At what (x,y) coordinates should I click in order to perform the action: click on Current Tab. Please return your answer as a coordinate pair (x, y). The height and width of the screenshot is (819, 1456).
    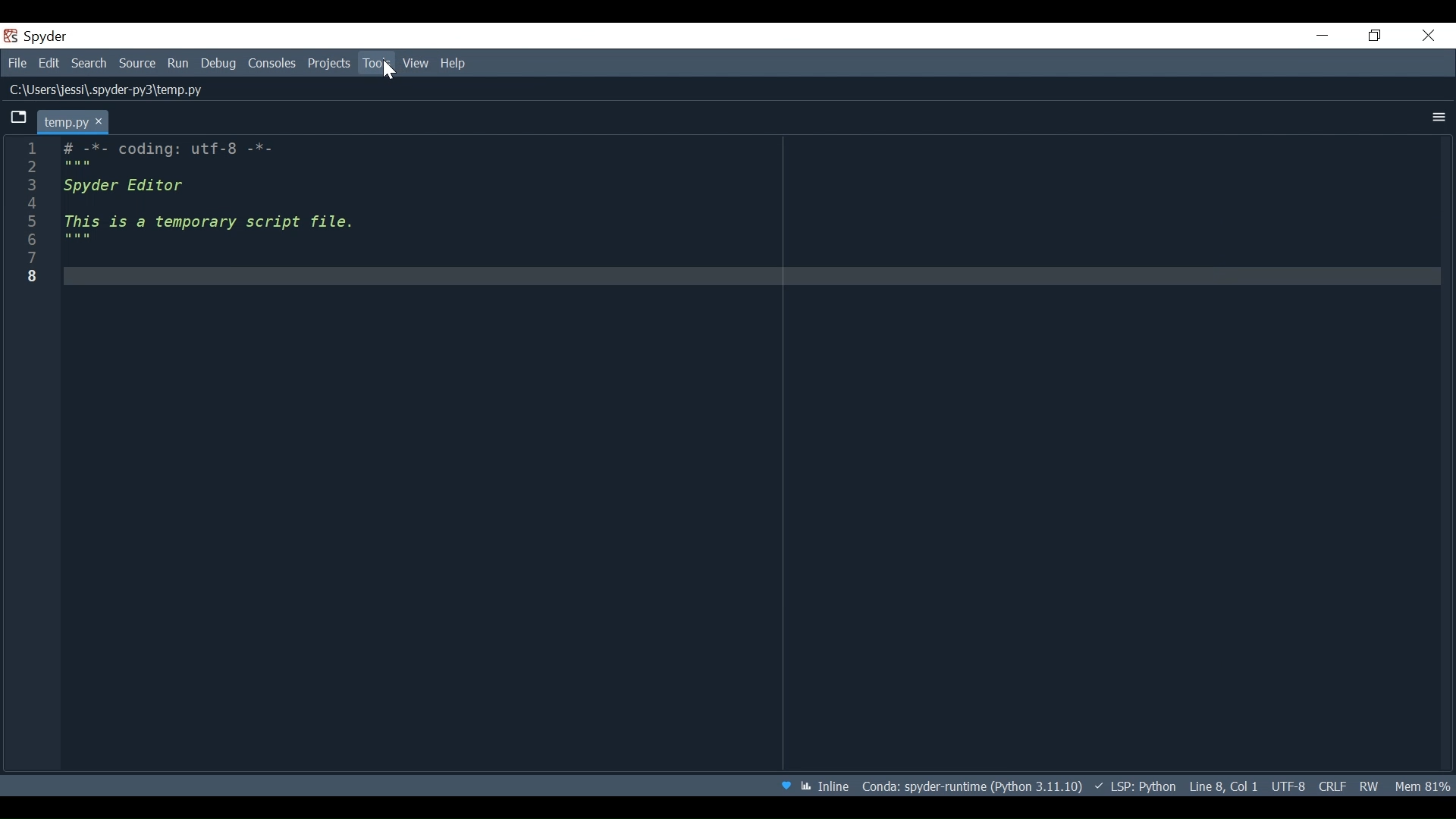
    Looking at the image, I should click on (74, 121).